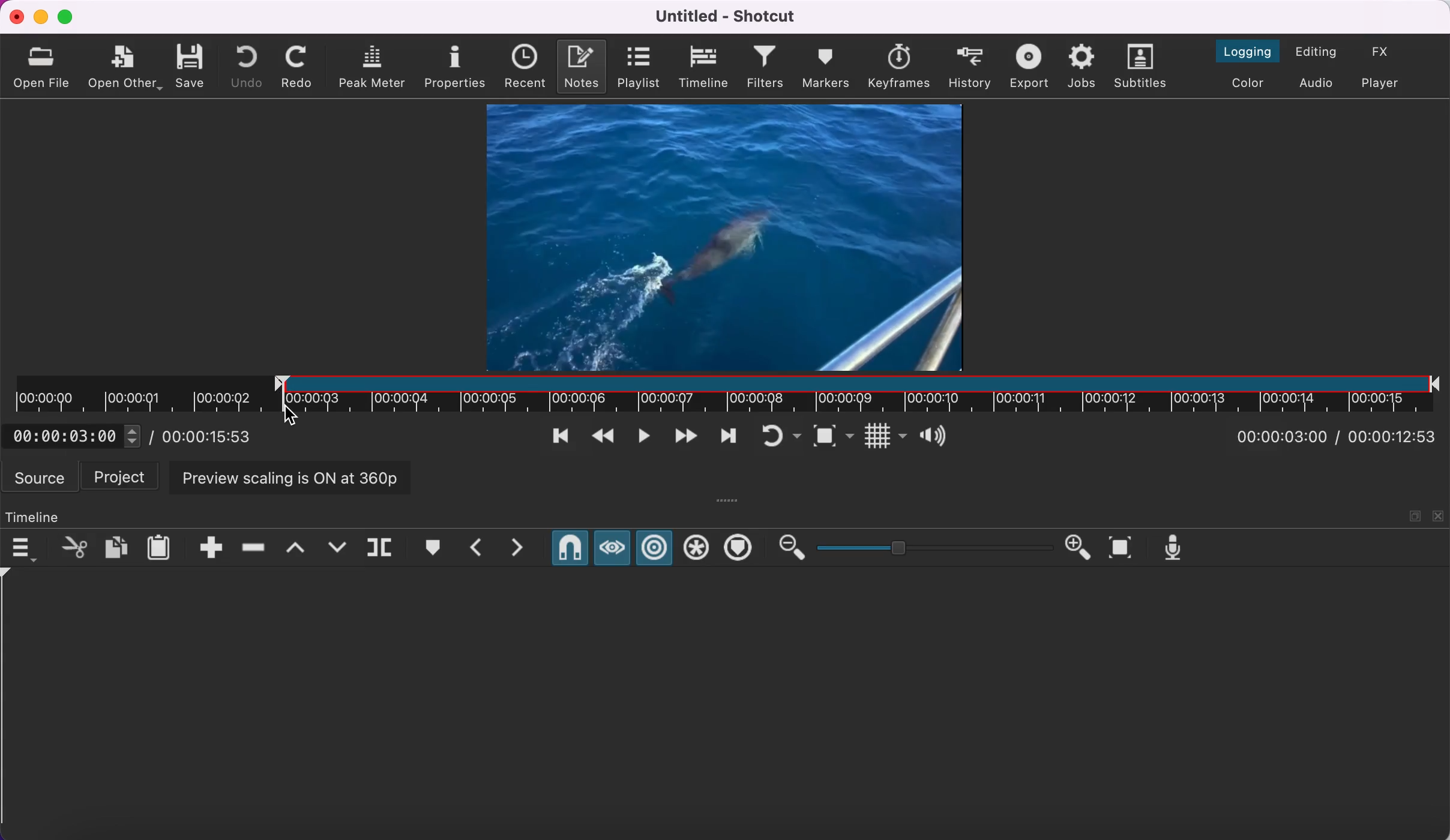 The height and width of the screenshot is (840, 1450). Describe the element at coordinates (723, 238) in the screenshot. I see `clip` at that location.